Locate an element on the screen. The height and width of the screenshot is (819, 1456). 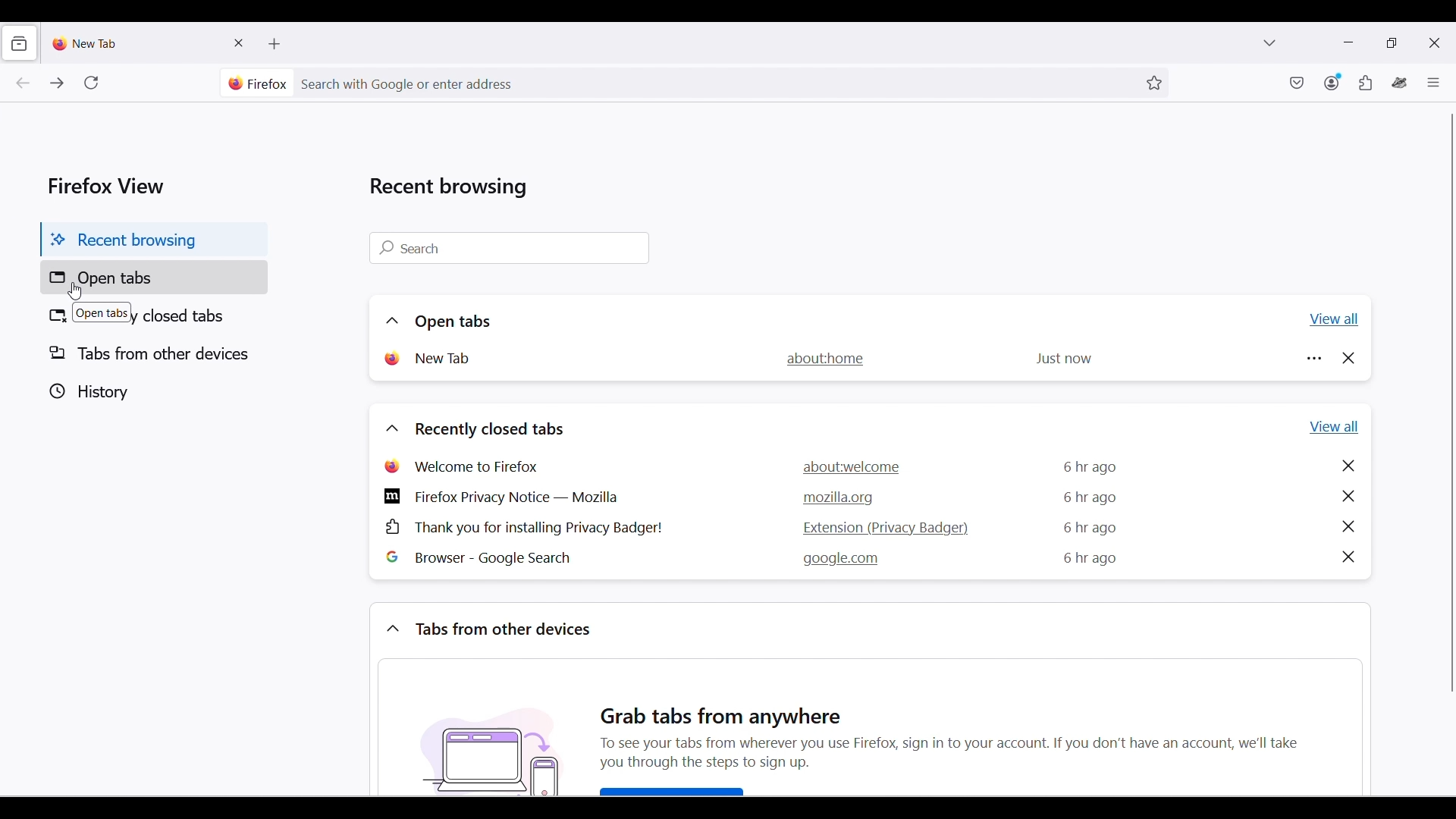
mozilla.org is located at coordinates (839, 498).